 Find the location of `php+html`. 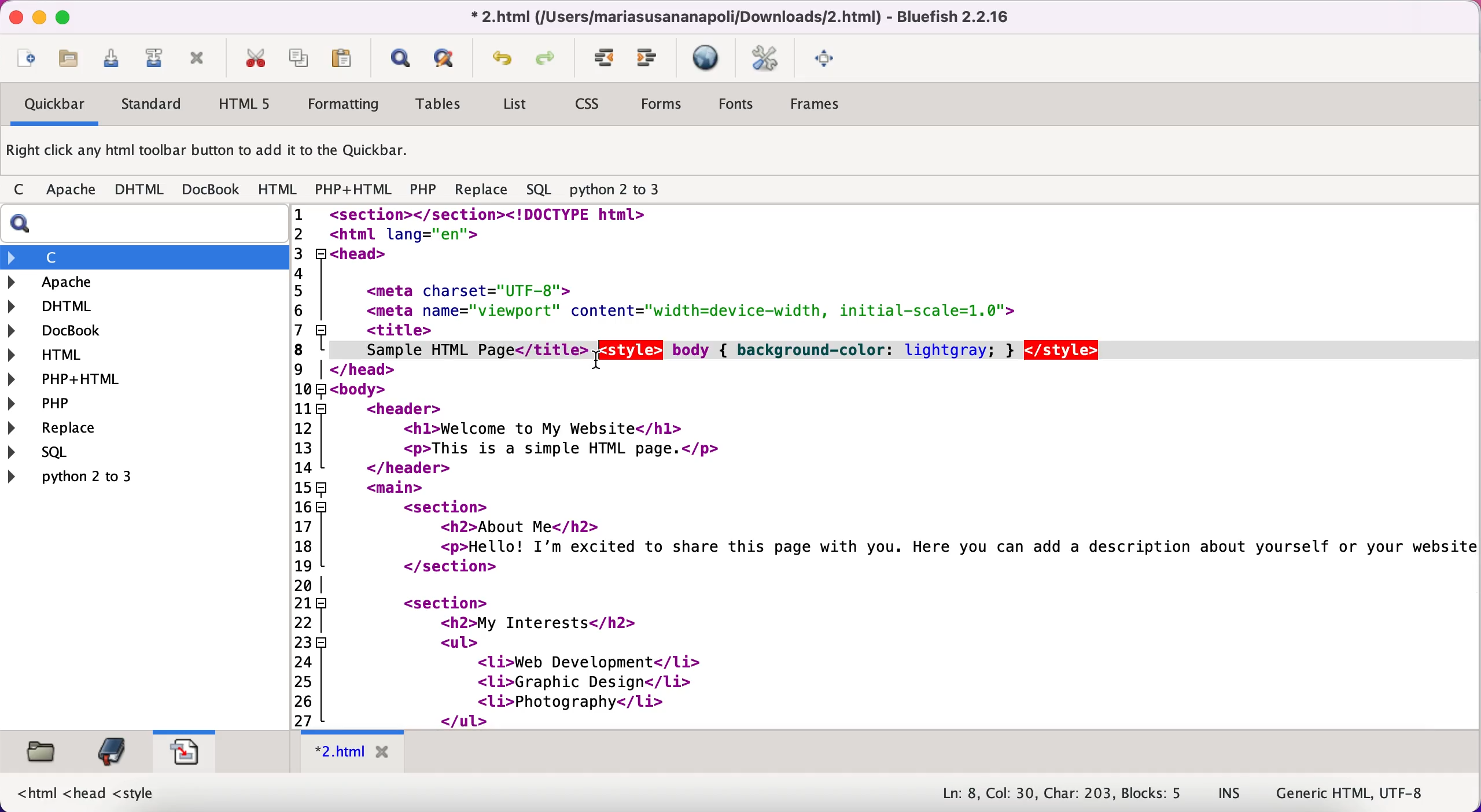

php+html is located at coordinates (355, 191).